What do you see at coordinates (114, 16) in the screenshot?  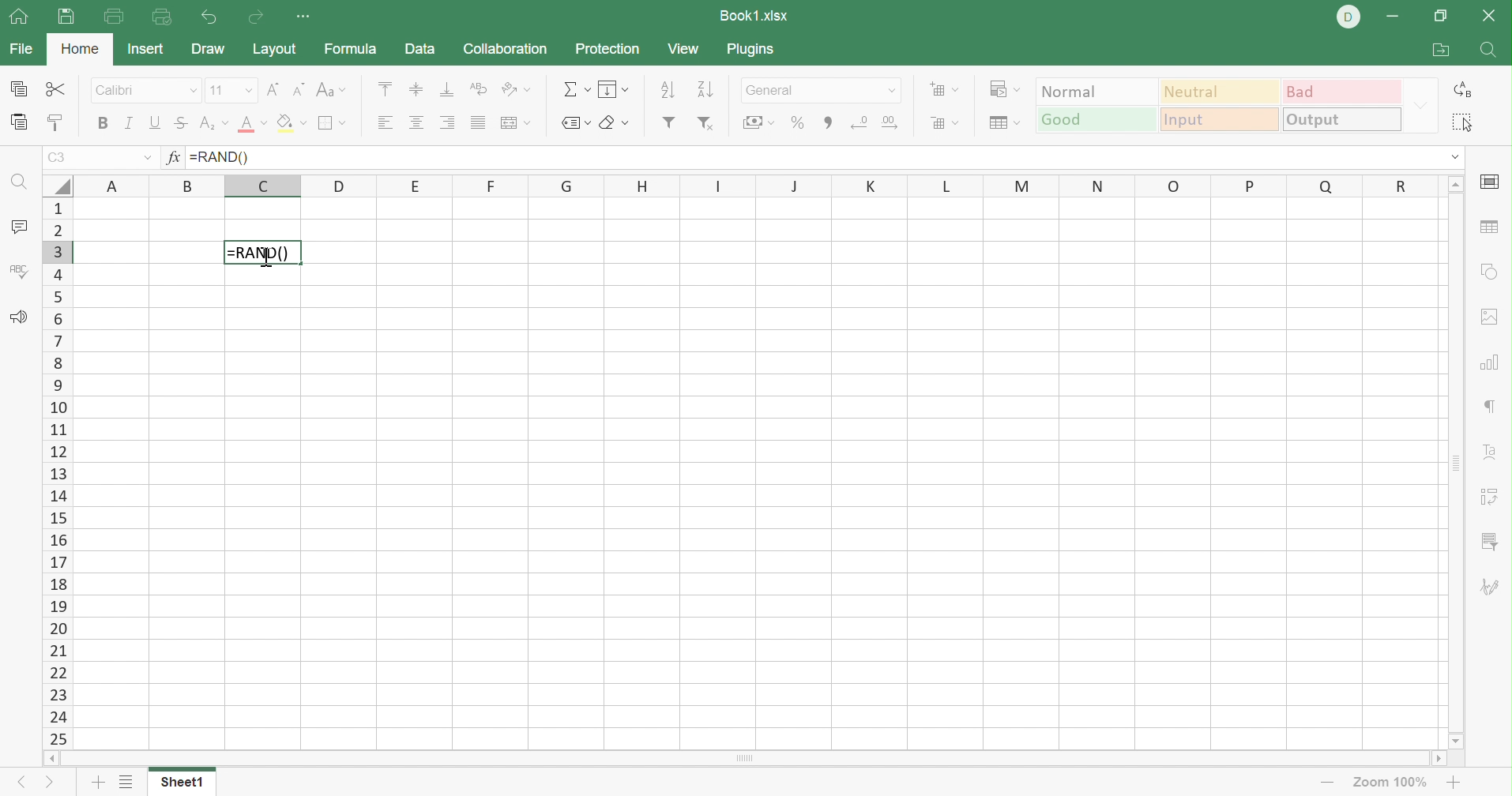 I see `Print file` at bounding box center [114, 16].